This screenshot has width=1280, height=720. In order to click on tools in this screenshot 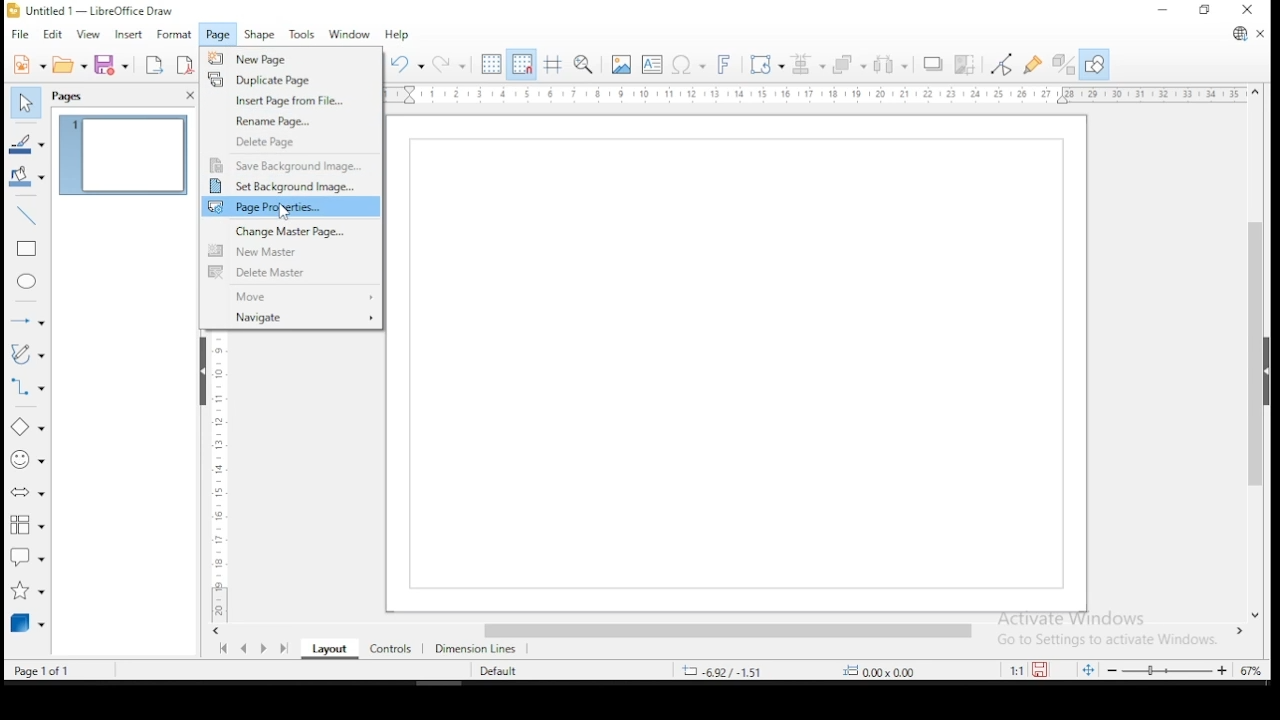, I will do `click(303, 33)`.